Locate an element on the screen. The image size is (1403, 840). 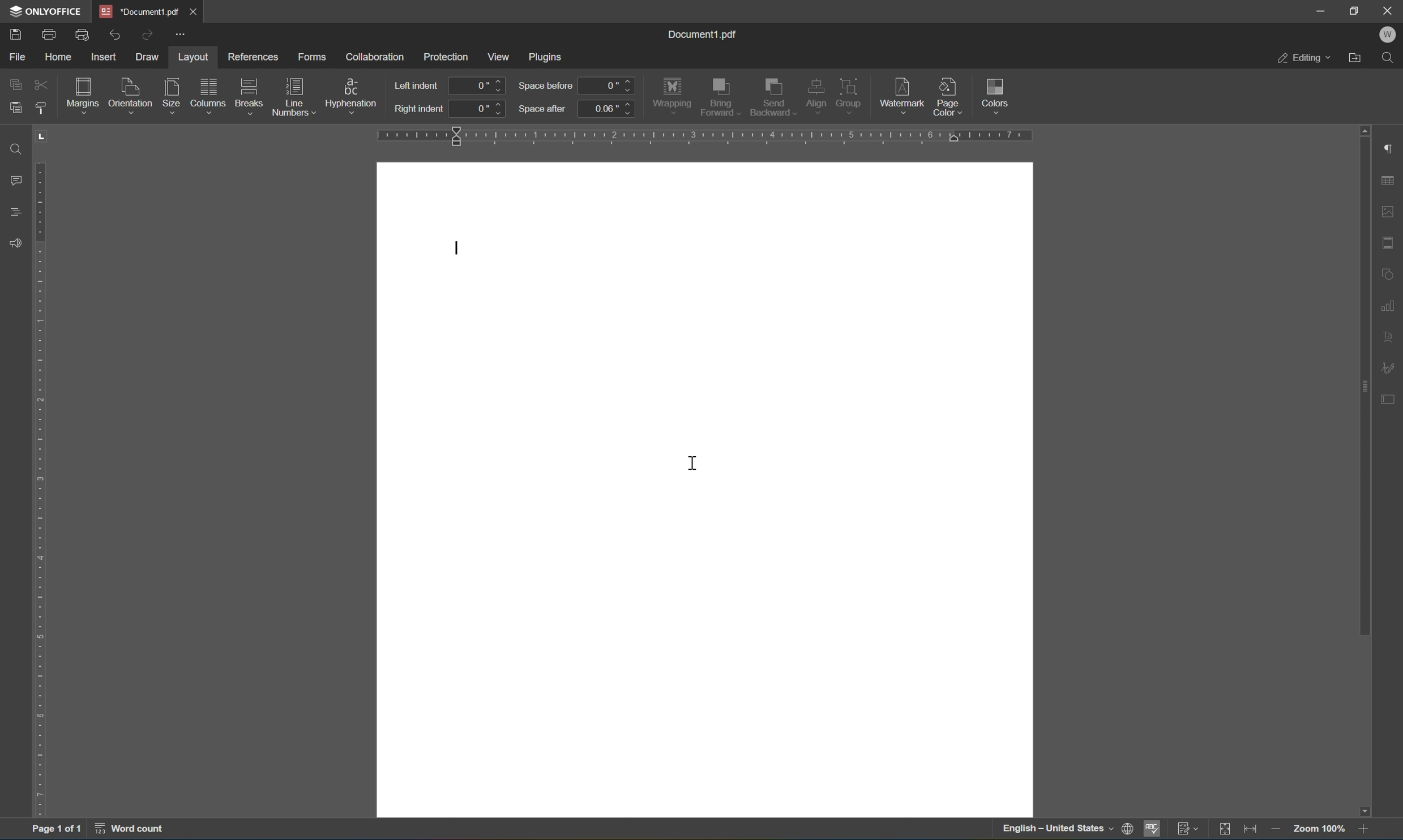
space before is located at coordinates (545, 86).